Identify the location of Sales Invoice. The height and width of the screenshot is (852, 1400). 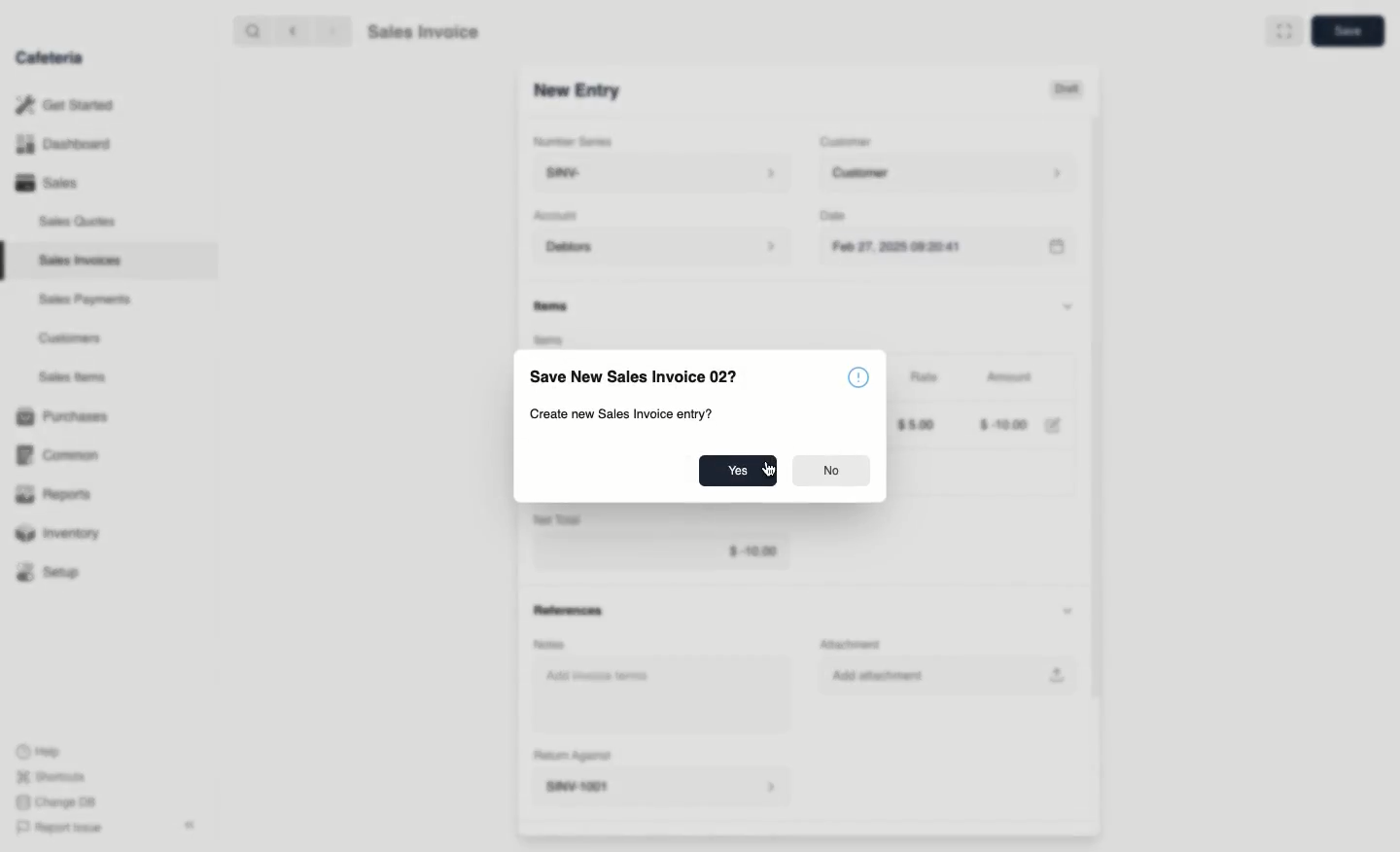
(423, 32).